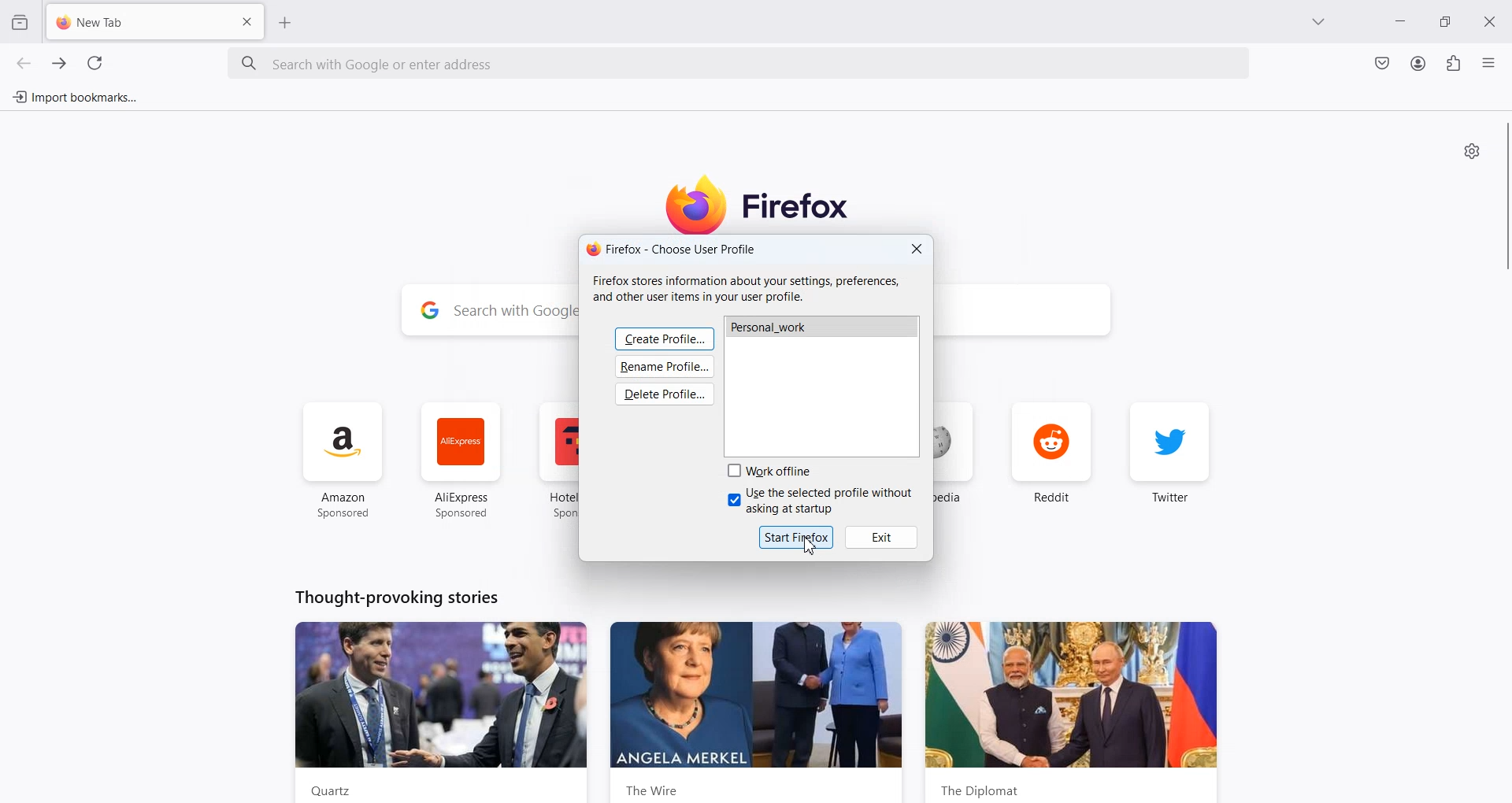 The height and width of the screenshot is (803, 1512). Describe the element at coordinates (1380, 63) in the screenshot. I see `Save to Pocket` at that location.